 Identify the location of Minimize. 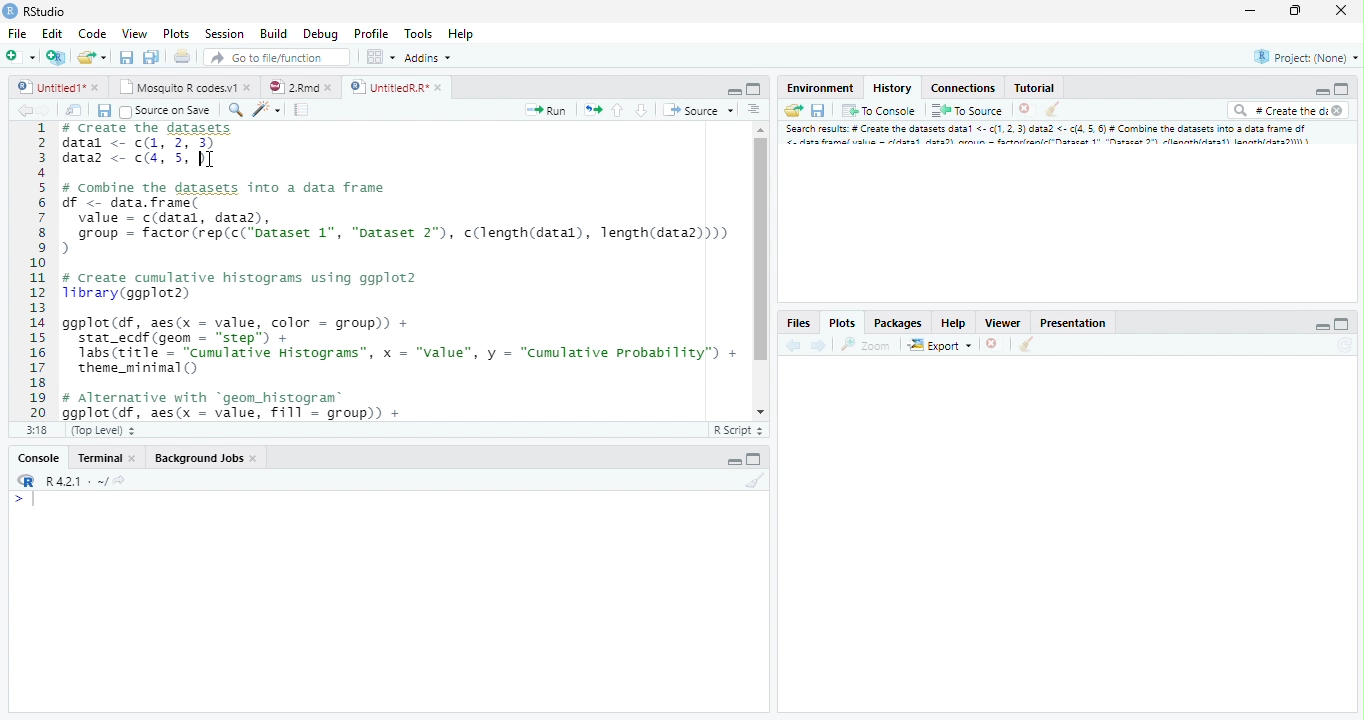
(1253, 11).